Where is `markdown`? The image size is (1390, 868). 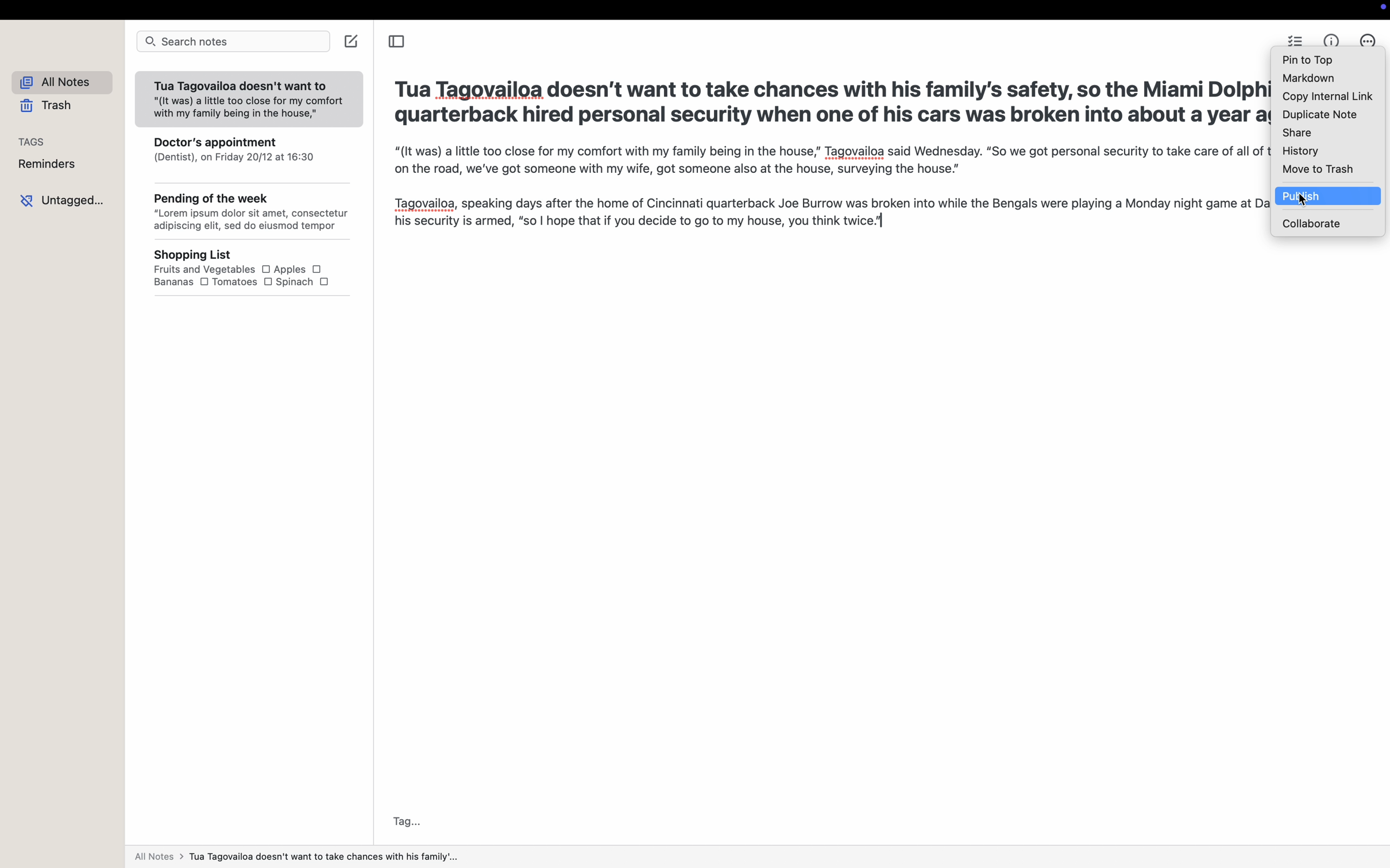
markdown is located at coordinates (1311, 77).